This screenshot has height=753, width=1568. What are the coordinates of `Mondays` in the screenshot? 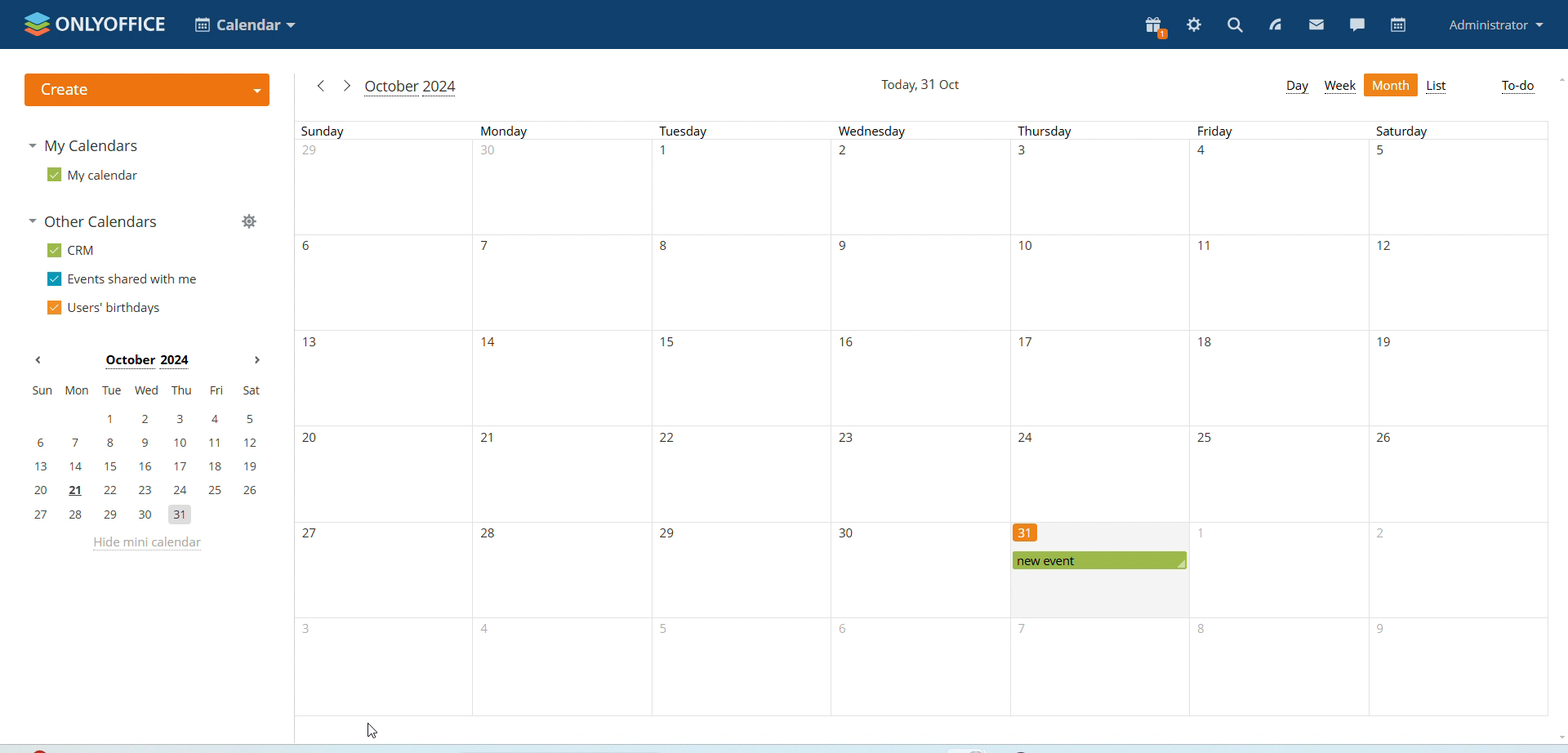 It's located at (559, 419).